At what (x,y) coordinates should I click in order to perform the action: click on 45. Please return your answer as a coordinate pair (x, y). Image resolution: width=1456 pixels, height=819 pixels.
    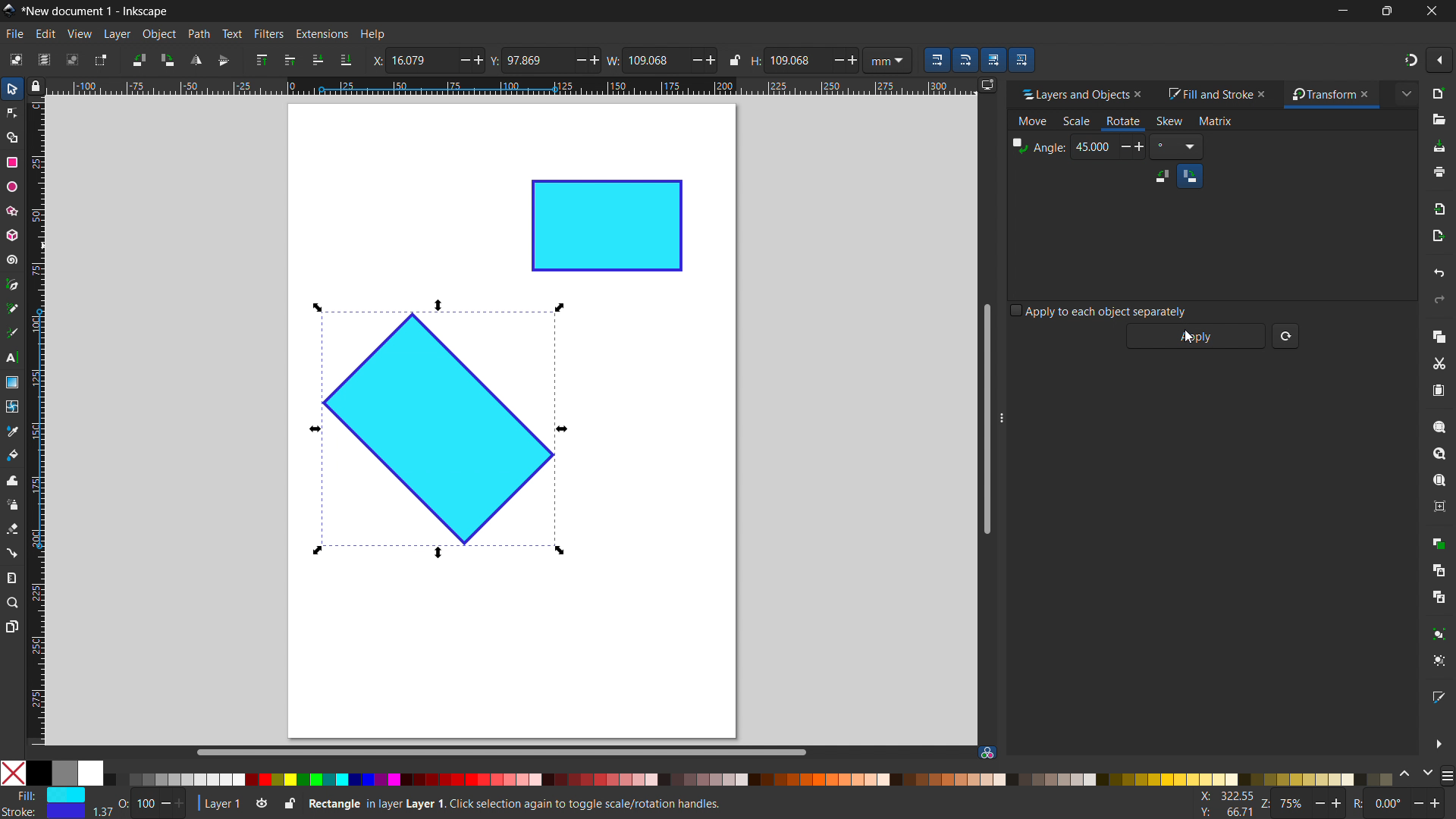
    Looking at the image, I should click on (1107, 146).